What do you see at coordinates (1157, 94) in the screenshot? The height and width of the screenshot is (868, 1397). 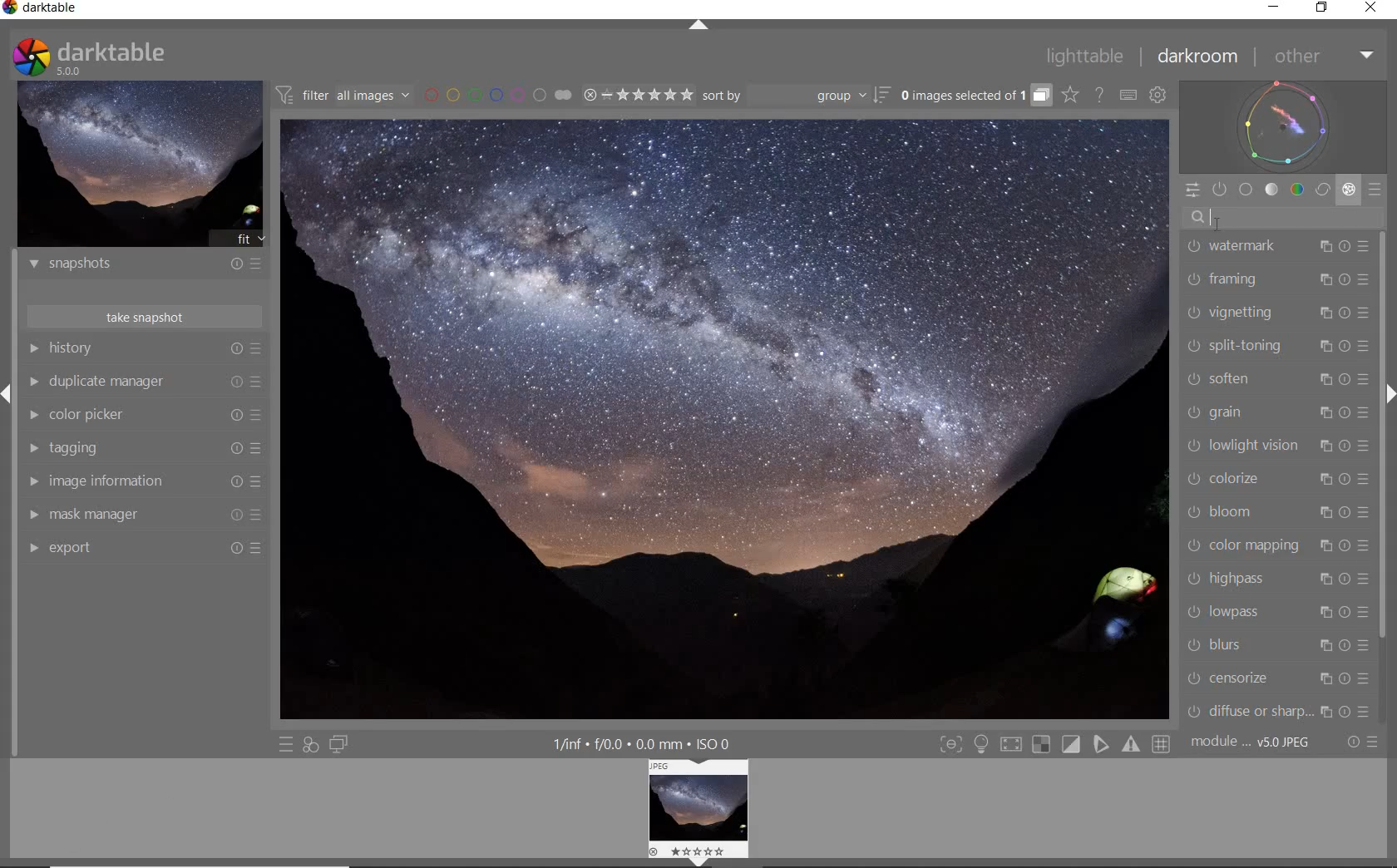 I see `SHOW GLOBAL PREFERENCES` at bounding box center [1157, 94].